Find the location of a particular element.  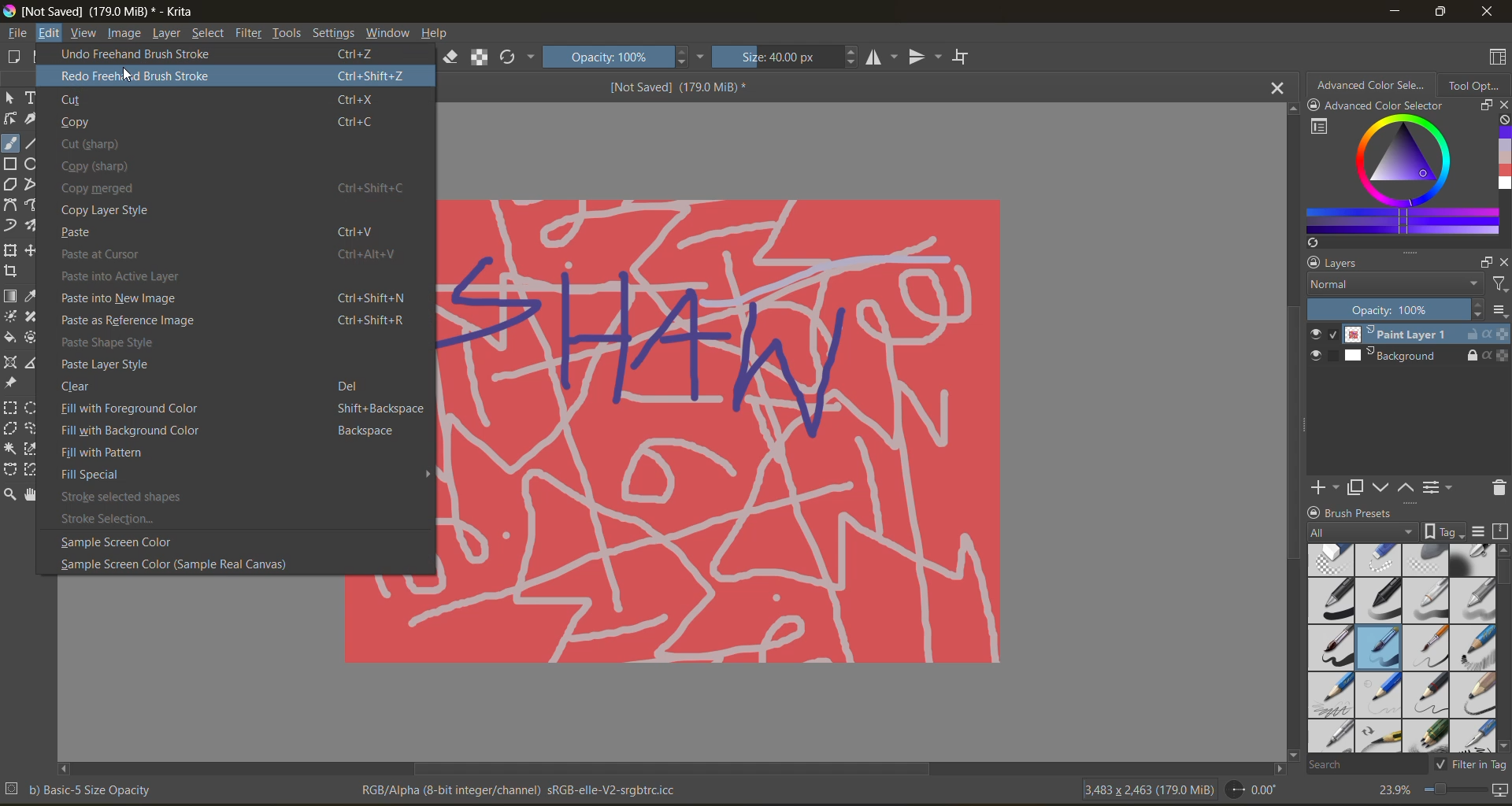

measure the distance tool is located at coordinates (36, 362).